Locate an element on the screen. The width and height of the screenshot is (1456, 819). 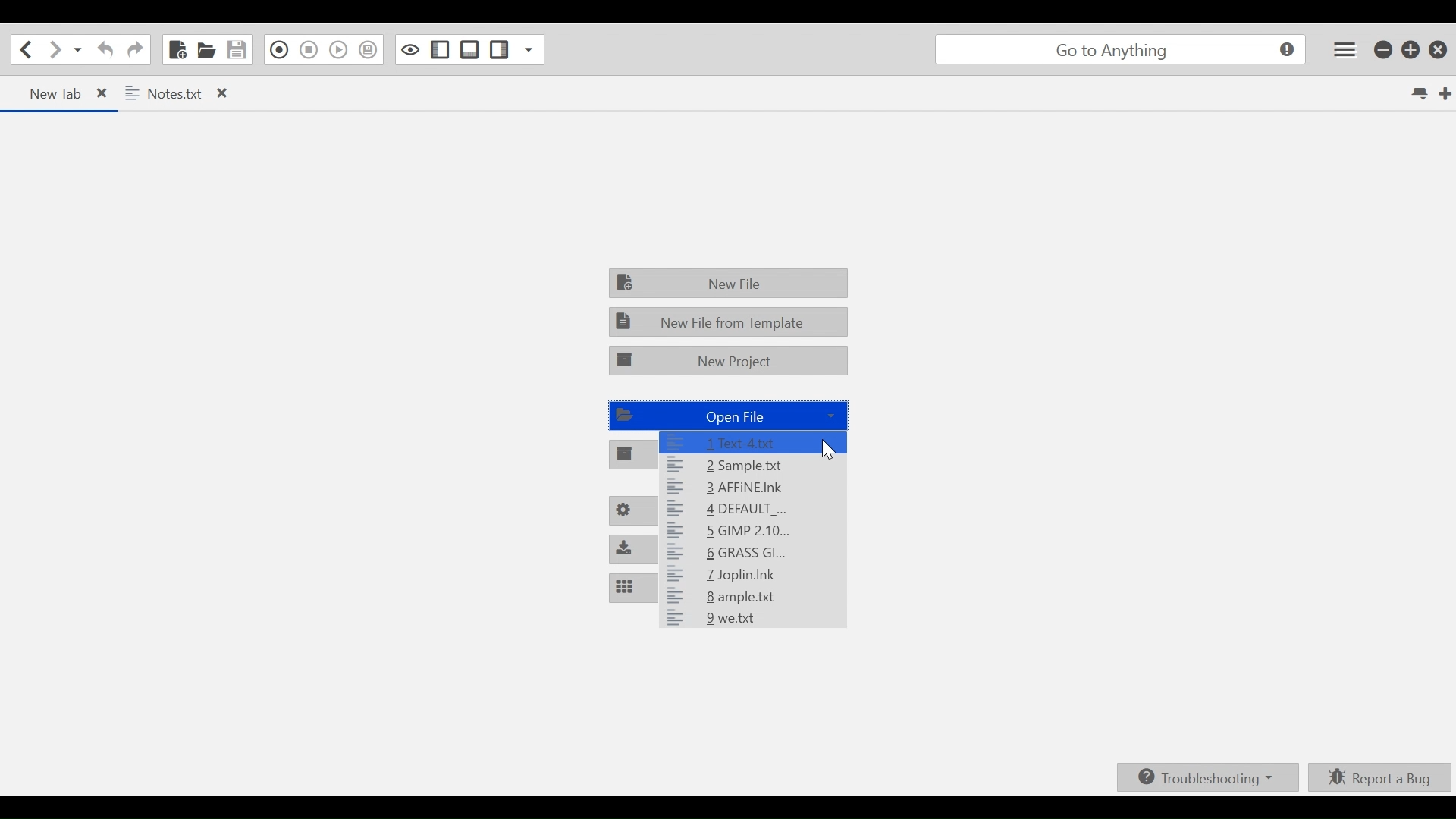
Go back one loaction is located at coordinates (25, 49).